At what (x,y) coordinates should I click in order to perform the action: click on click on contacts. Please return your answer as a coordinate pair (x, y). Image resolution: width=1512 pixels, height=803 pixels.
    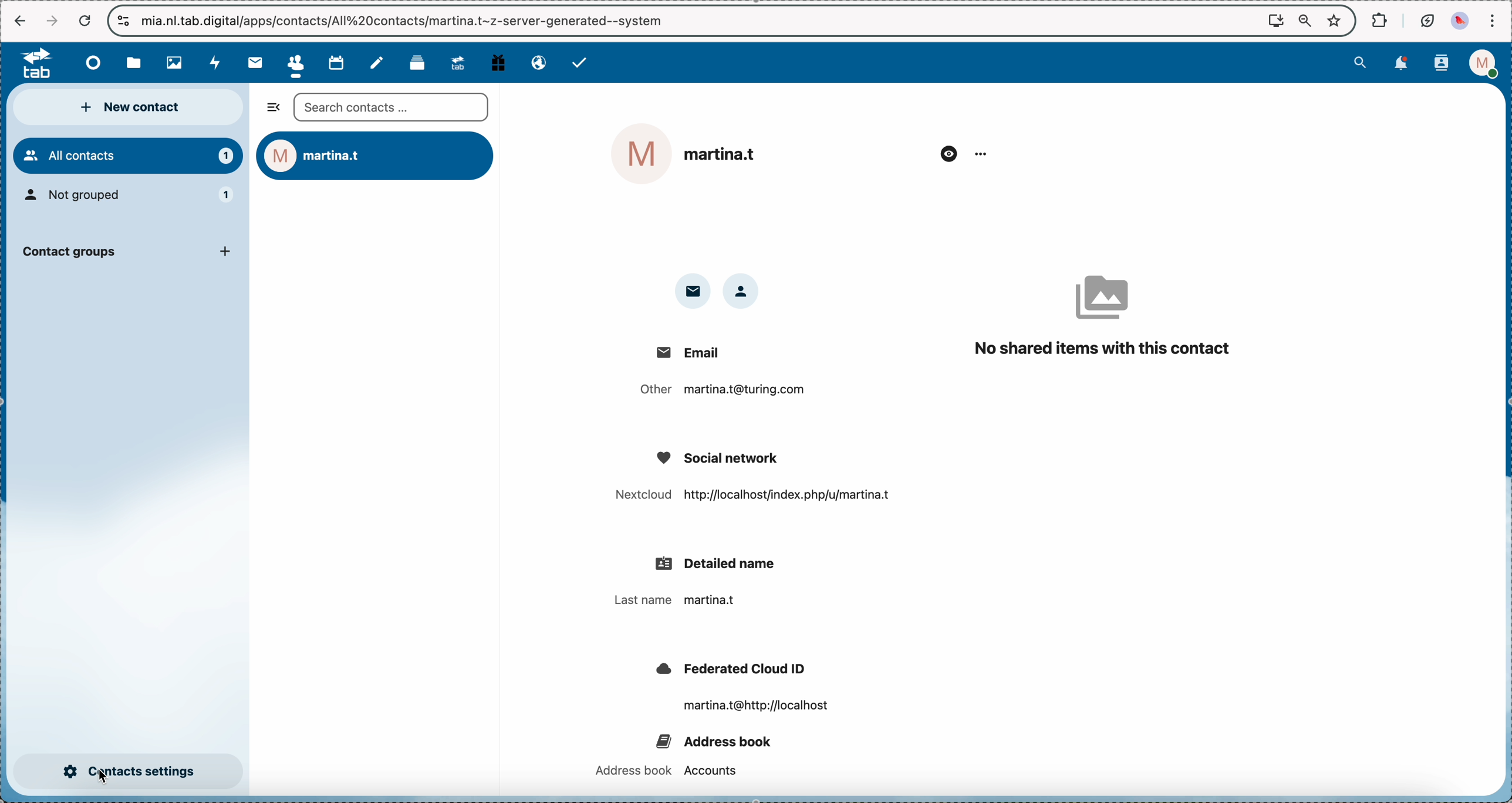
    Looking at the image, I should click on (294, 63).